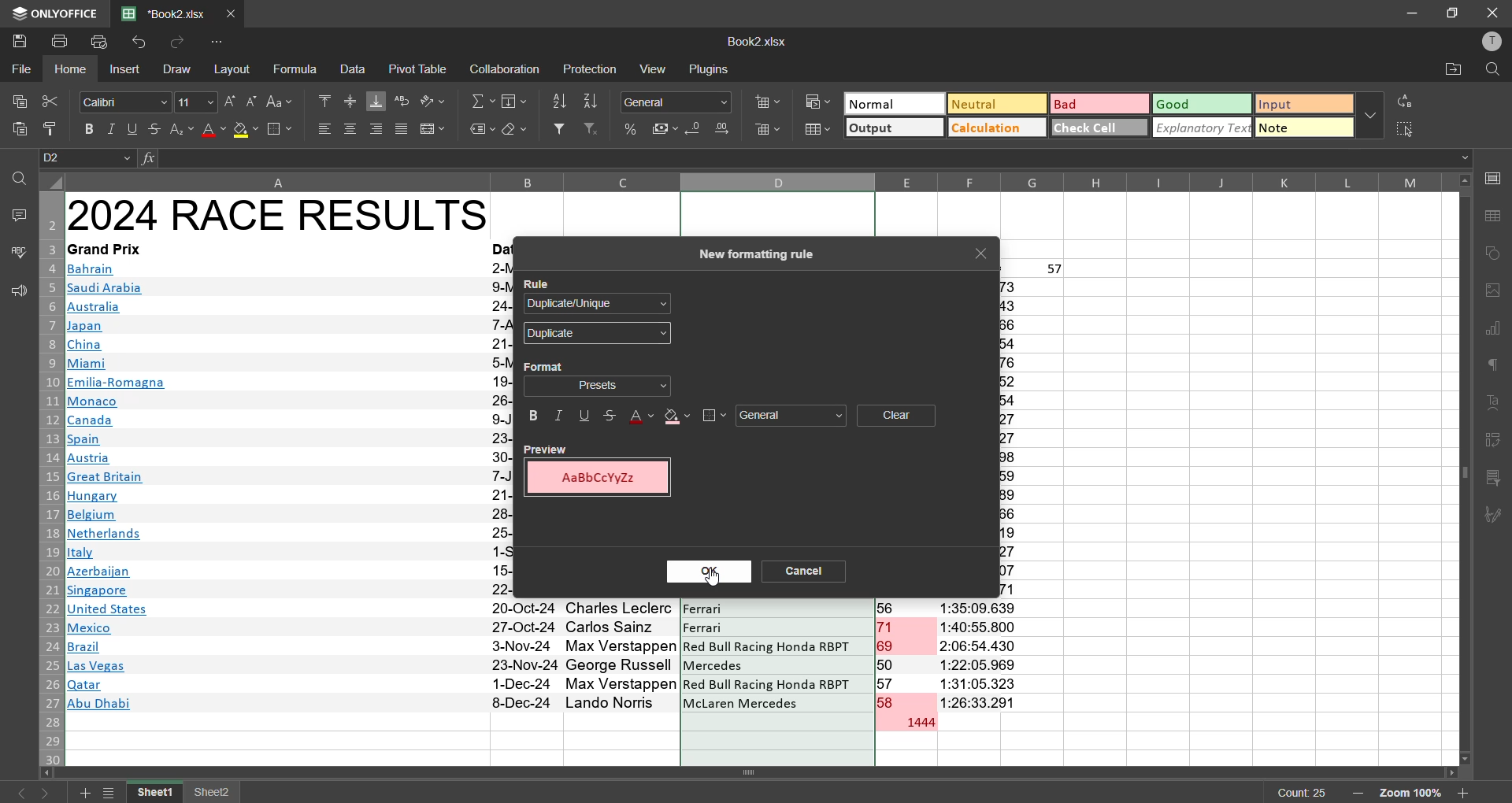  Describe the element at coordinates (1450, 72) in the screenshot. I see `open location` at that location.